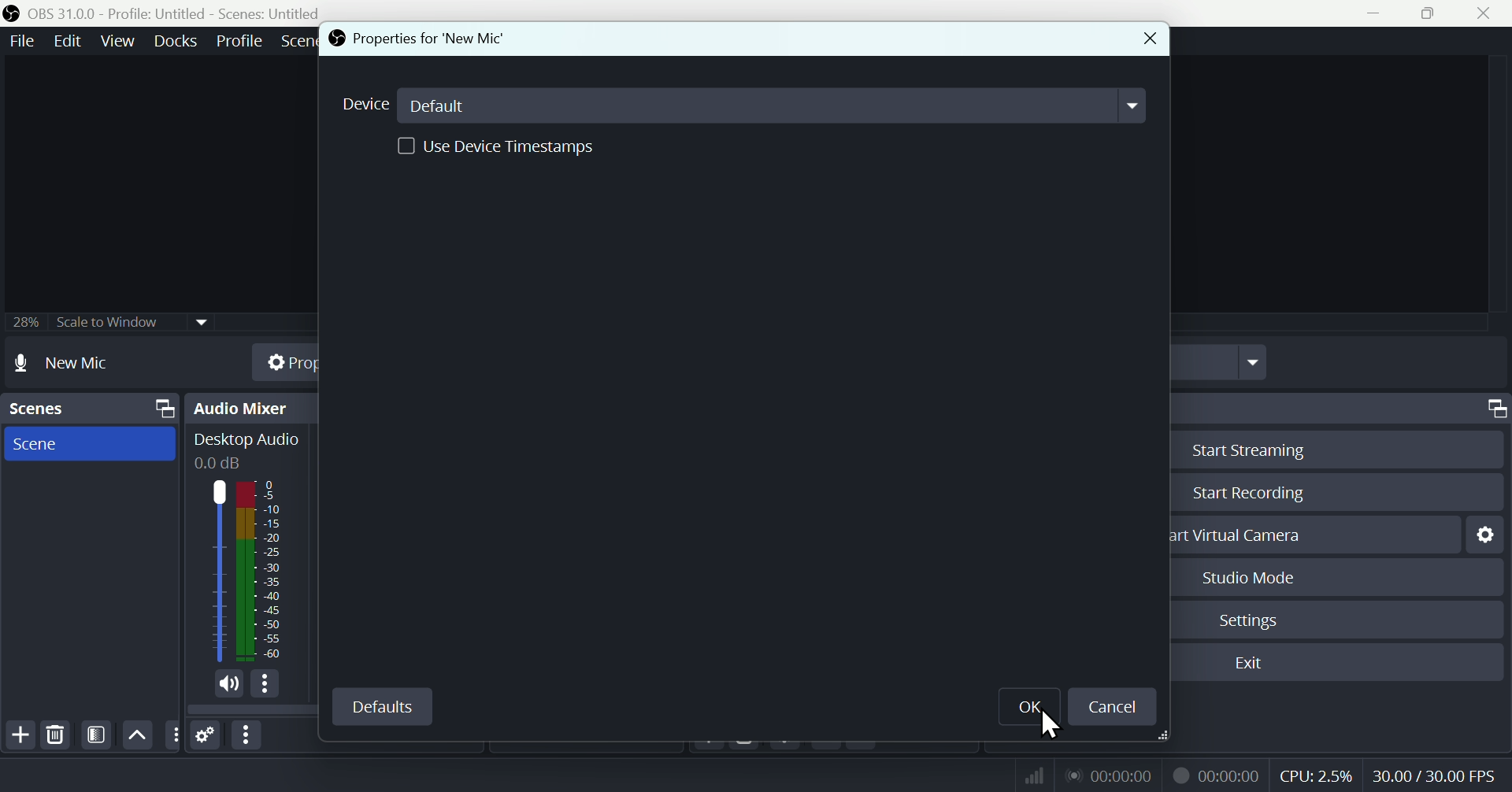 The height and width of the screenshot is (792, 1512). What do you see at coordinates (1482, 13) in the screenshot?
I see `Close` at bounding box center [1482, 13].